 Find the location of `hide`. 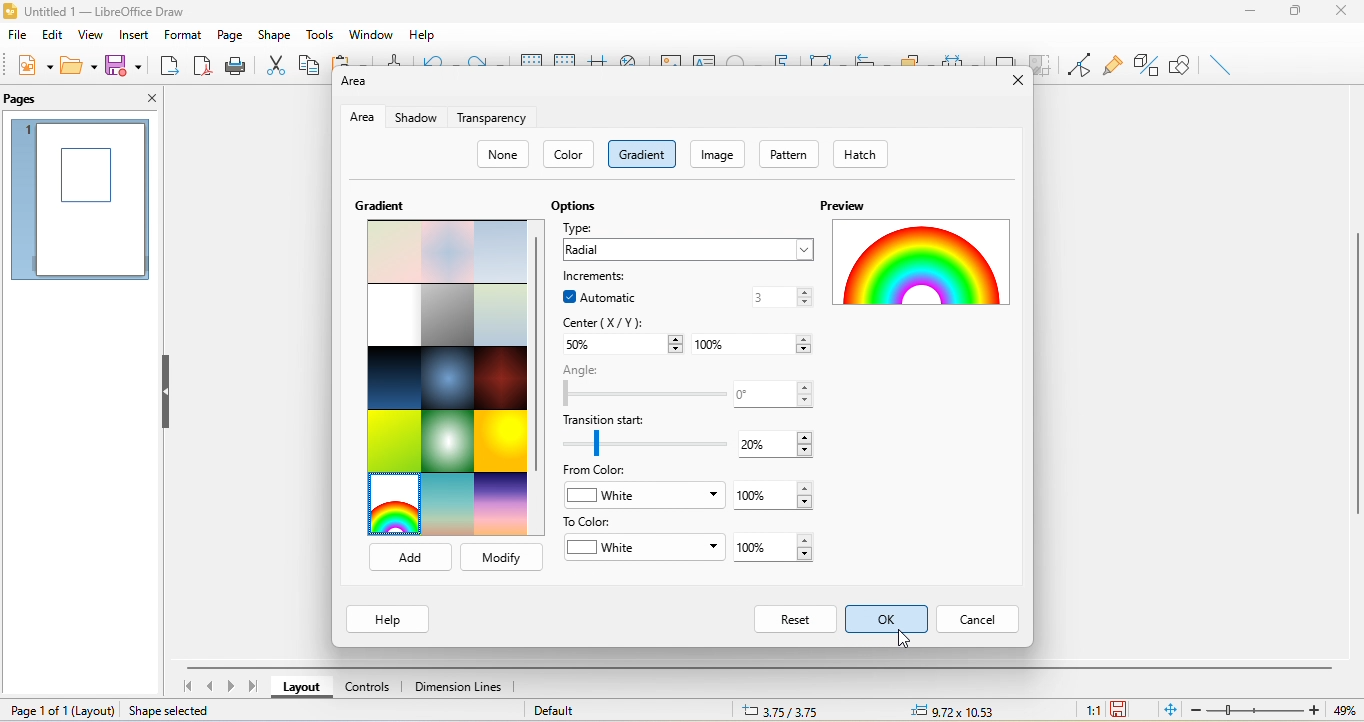

hide is located at coordinates (168, 395).